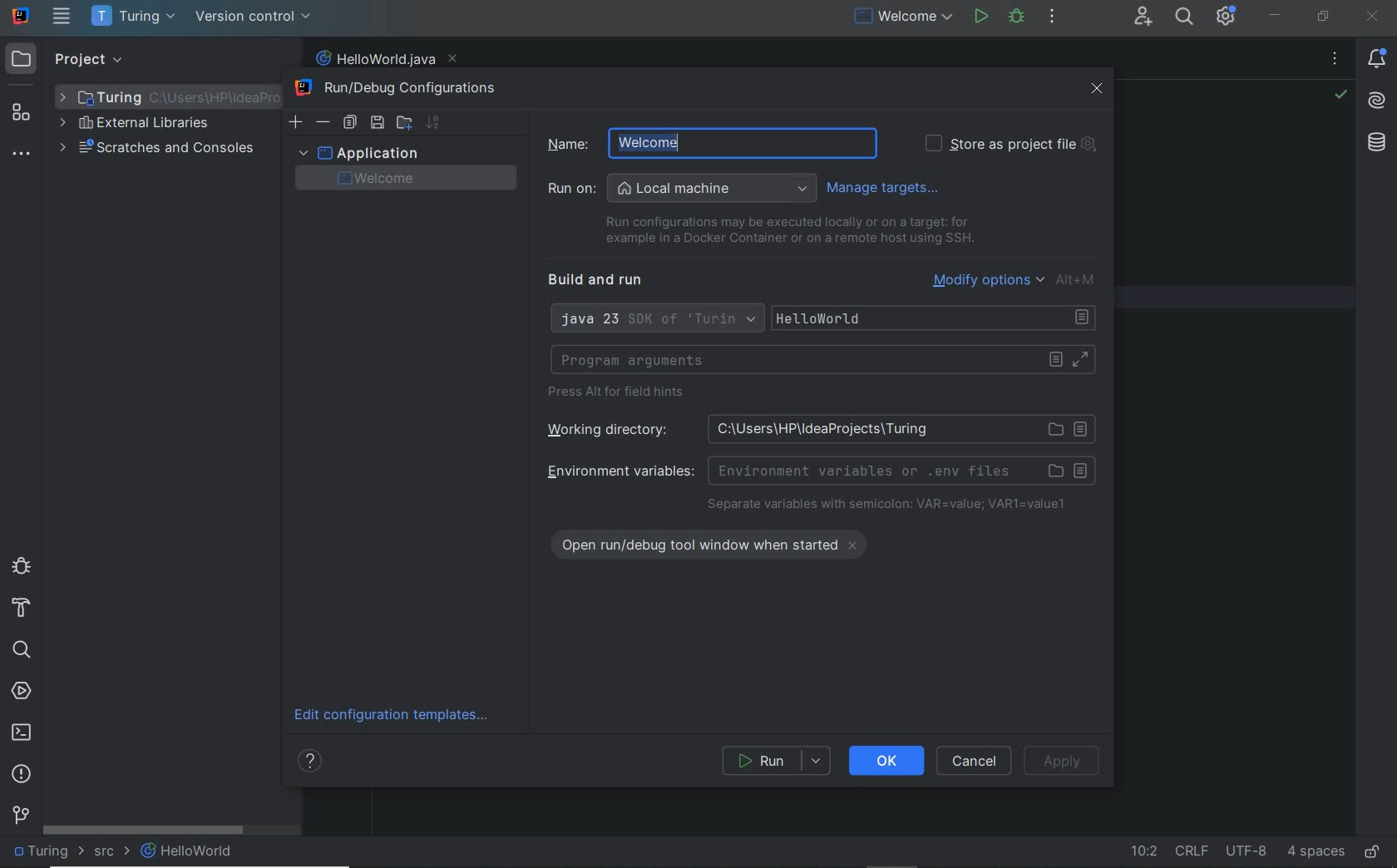 Image resolution: width=1397 pixels, height=868 pixels. What do you see at coordinates (254, 17) in the screenshot?
I see `version control` at bounding box center [254, 17].